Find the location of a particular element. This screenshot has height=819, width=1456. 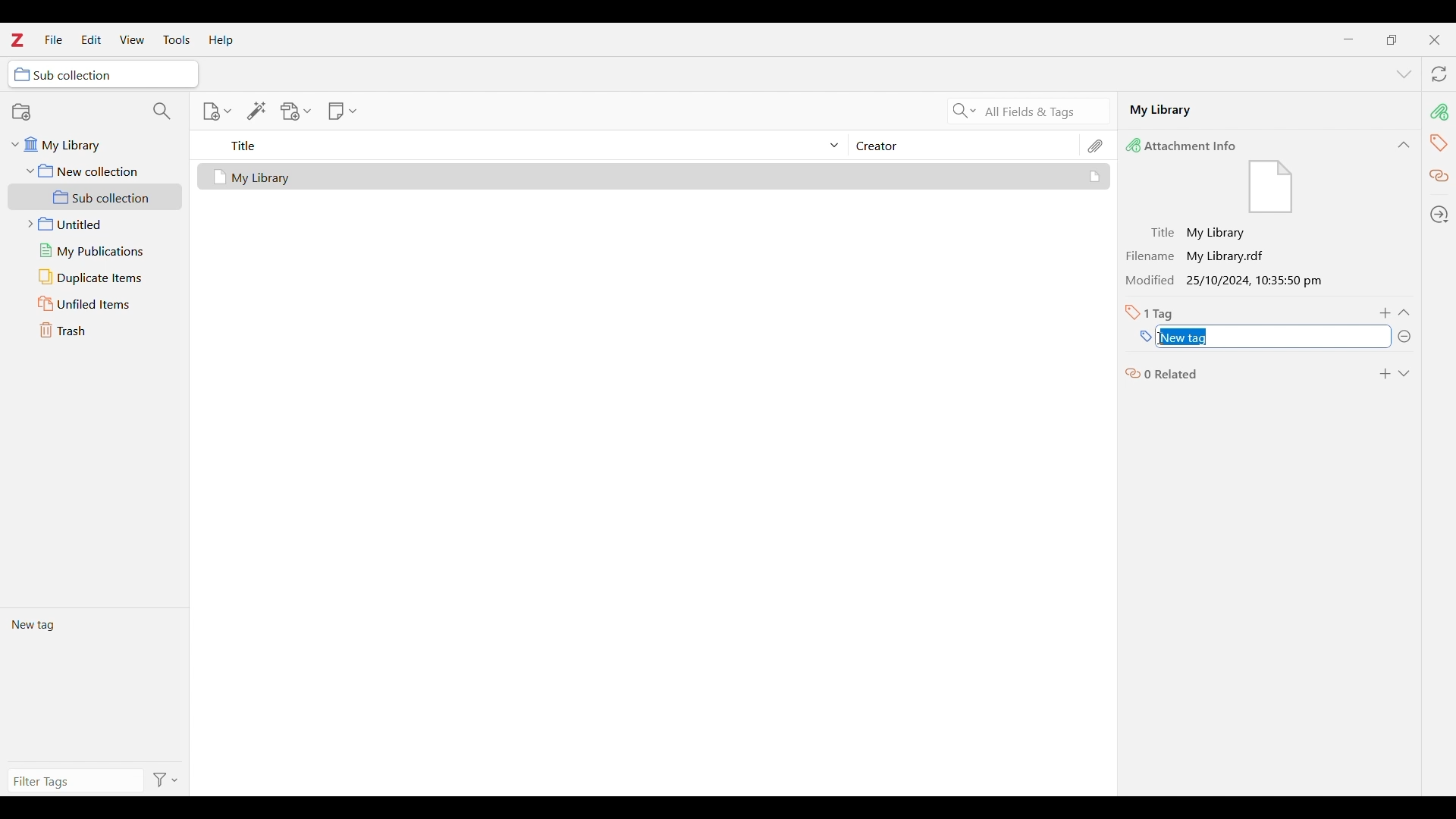

Sub collection folder is located at coordinates (96, 197).